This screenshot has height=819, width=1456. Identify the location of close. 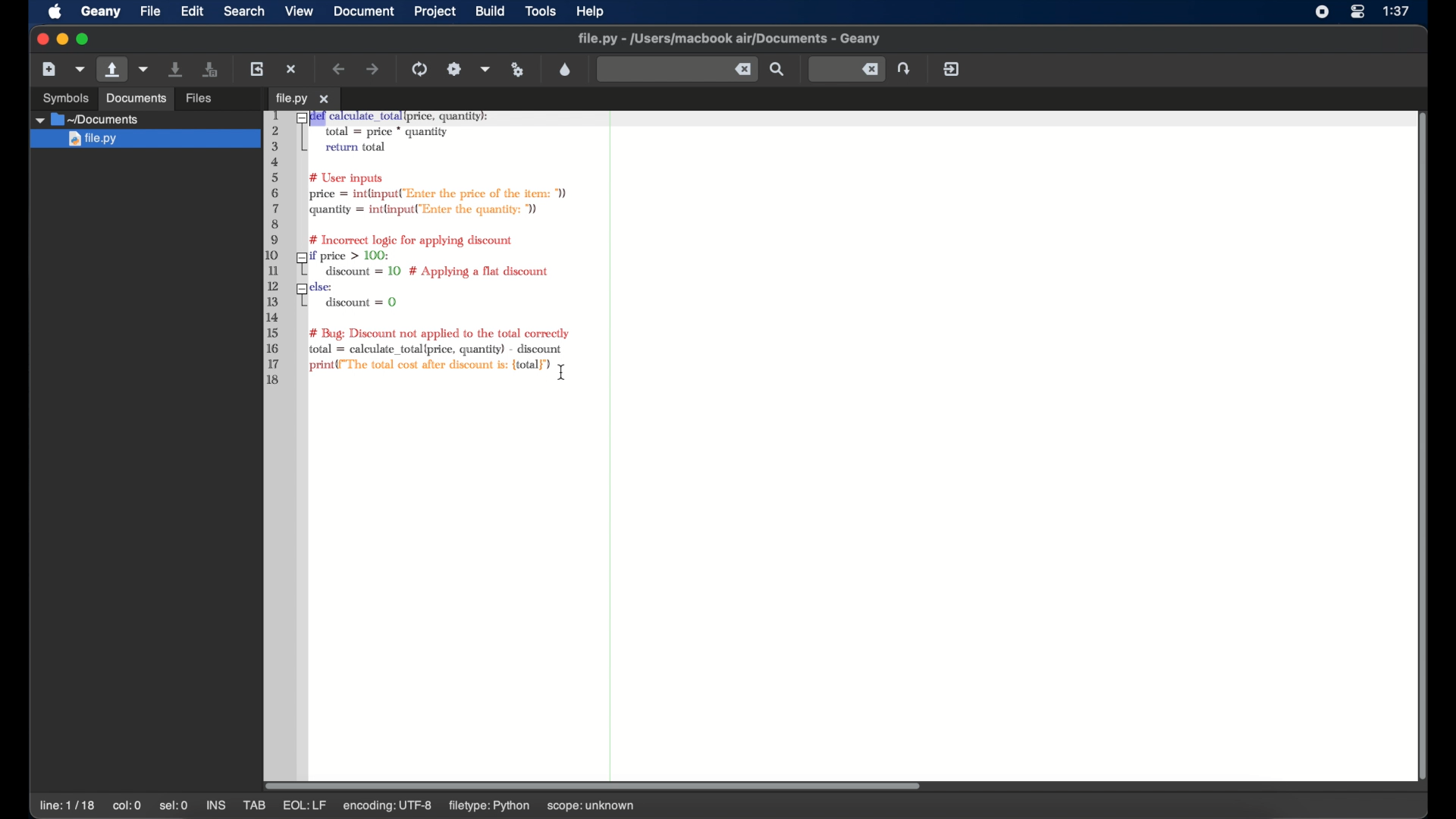
(41, 39).